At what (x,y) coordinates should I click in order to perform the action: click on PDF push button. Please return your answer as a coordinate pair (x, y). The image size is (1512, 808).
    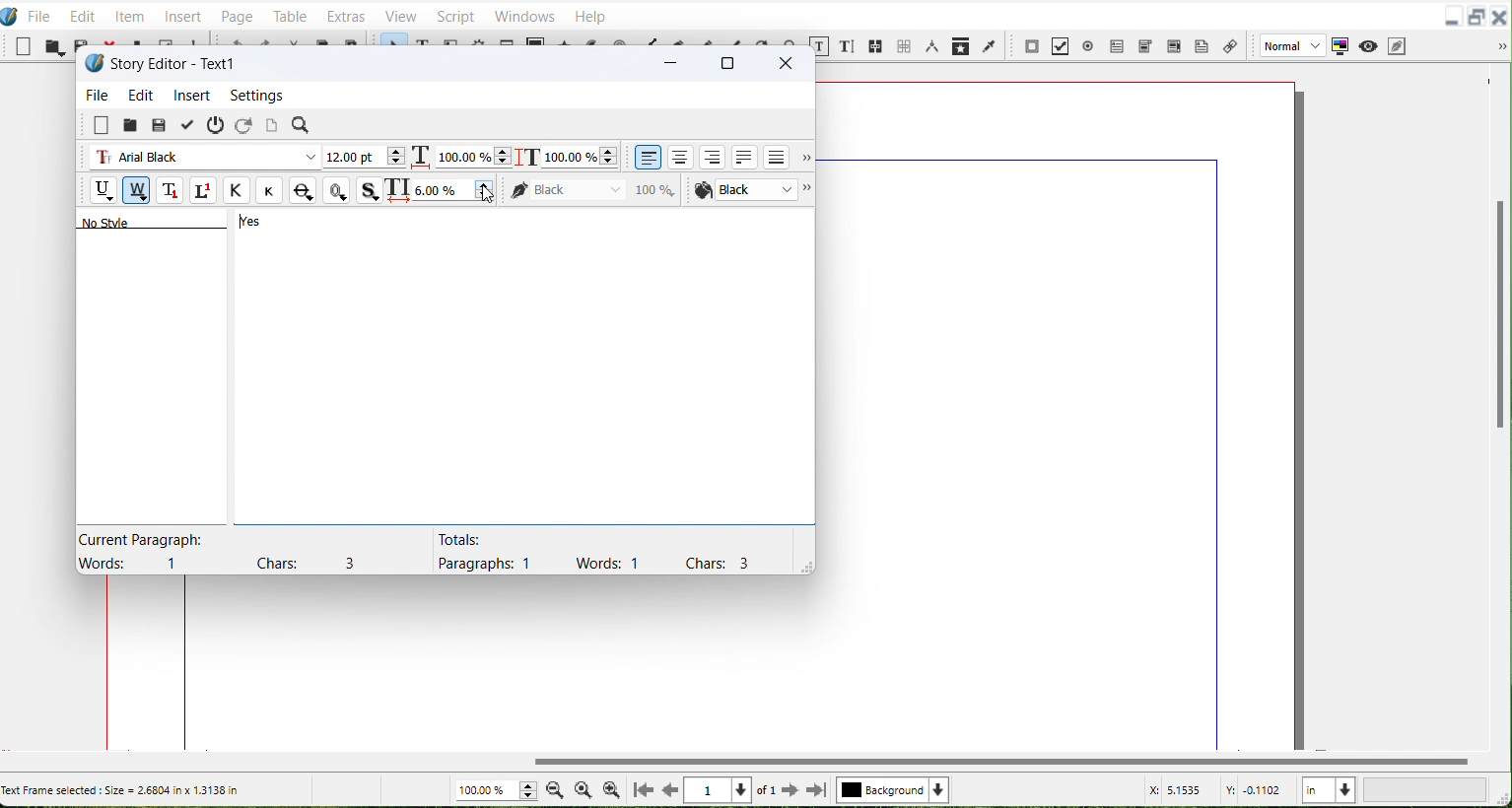
    Looking at the image, I should click on (1032, 44).